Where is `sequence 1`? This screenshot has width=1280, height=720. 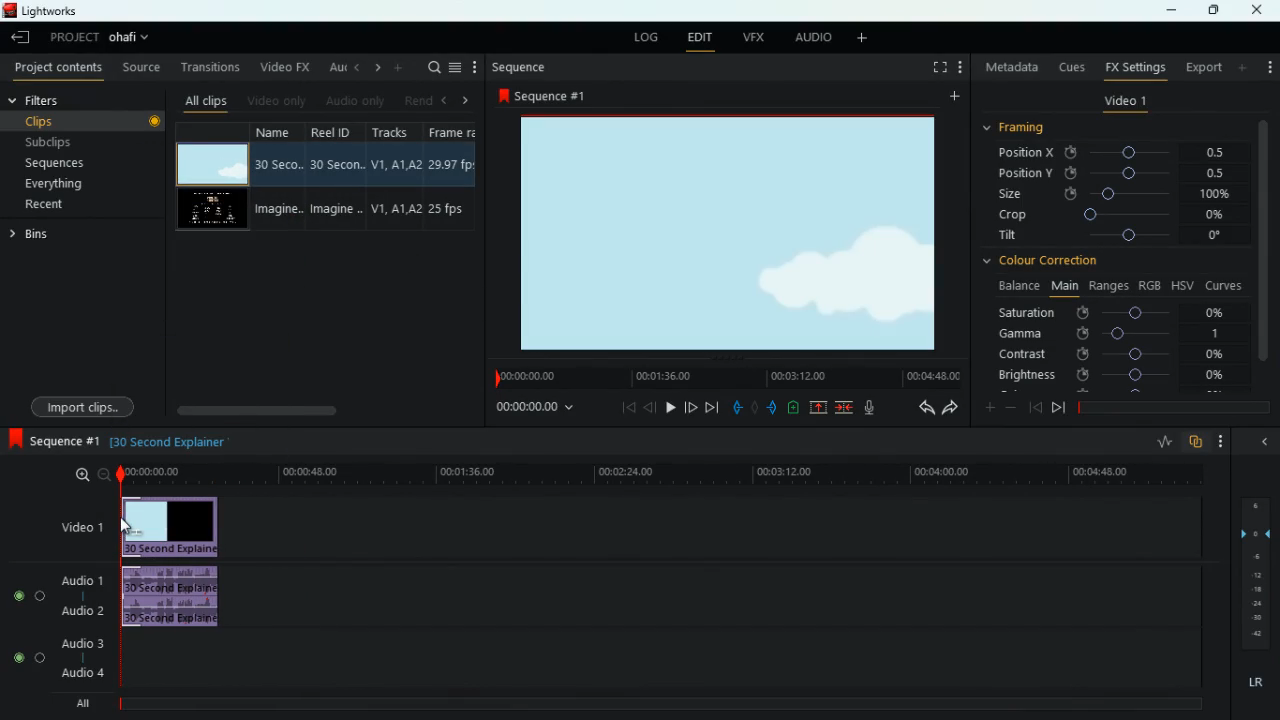
sequence 1 is located at coordinates (53, 441).